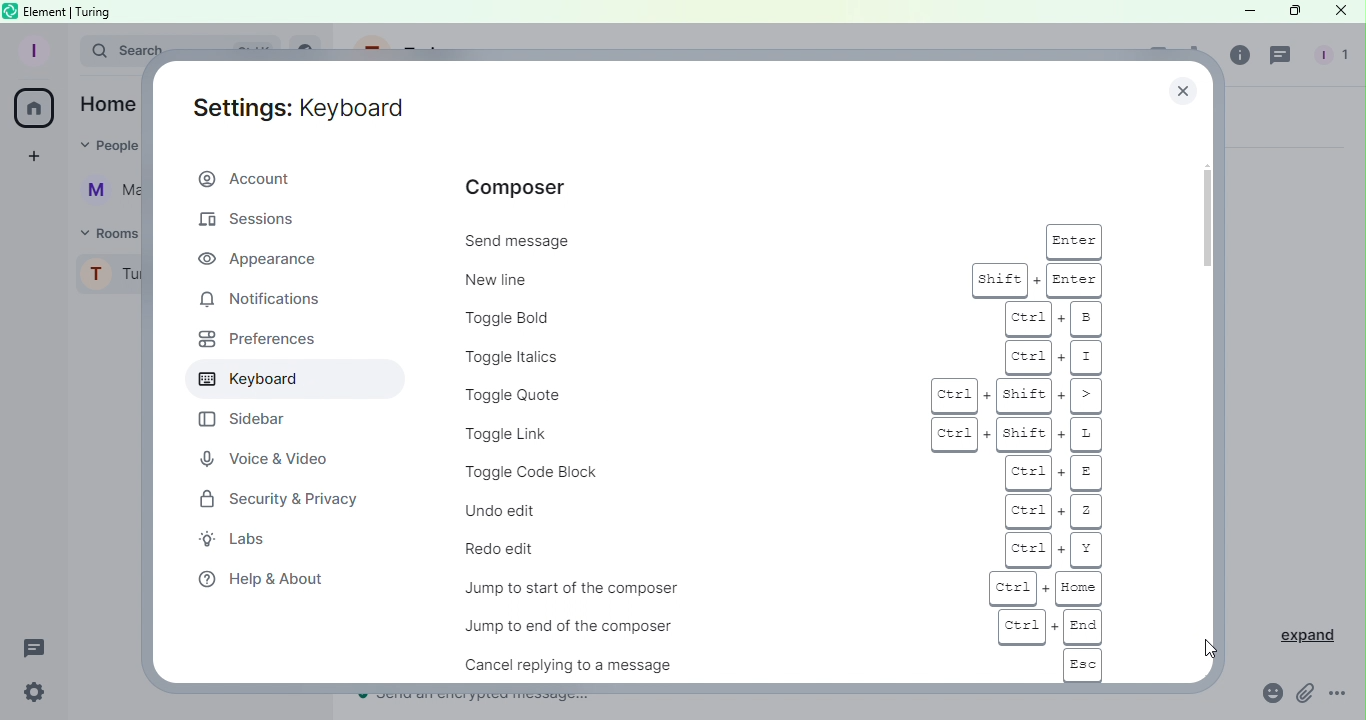 The image size is (1366, 720). What do you see at coordinates (649, 471) in the screenshot?
I see `Toggle code block` at bounding box center [649, 471].